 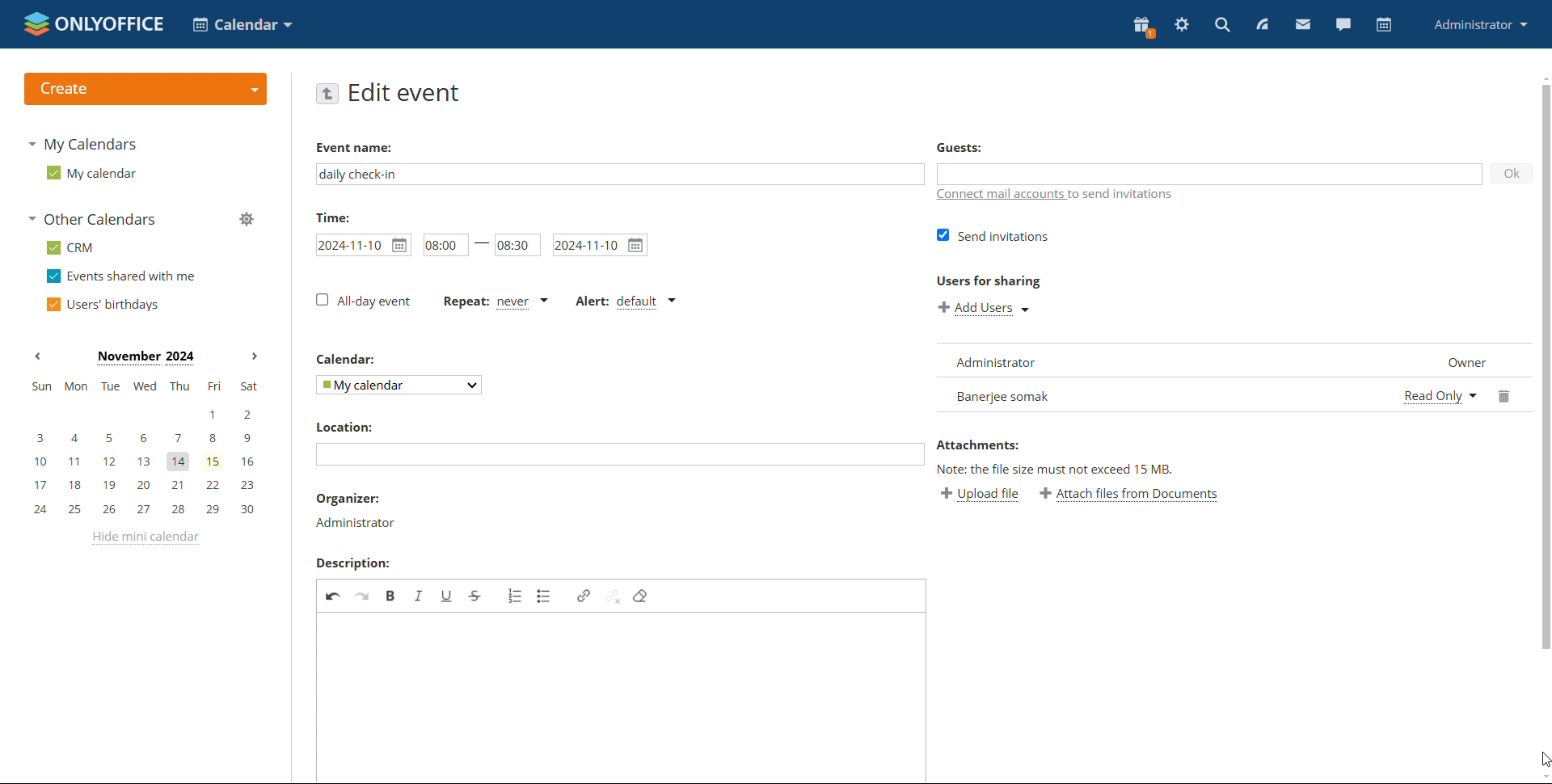 I want to click on unlink, so click(x=614, y=595).